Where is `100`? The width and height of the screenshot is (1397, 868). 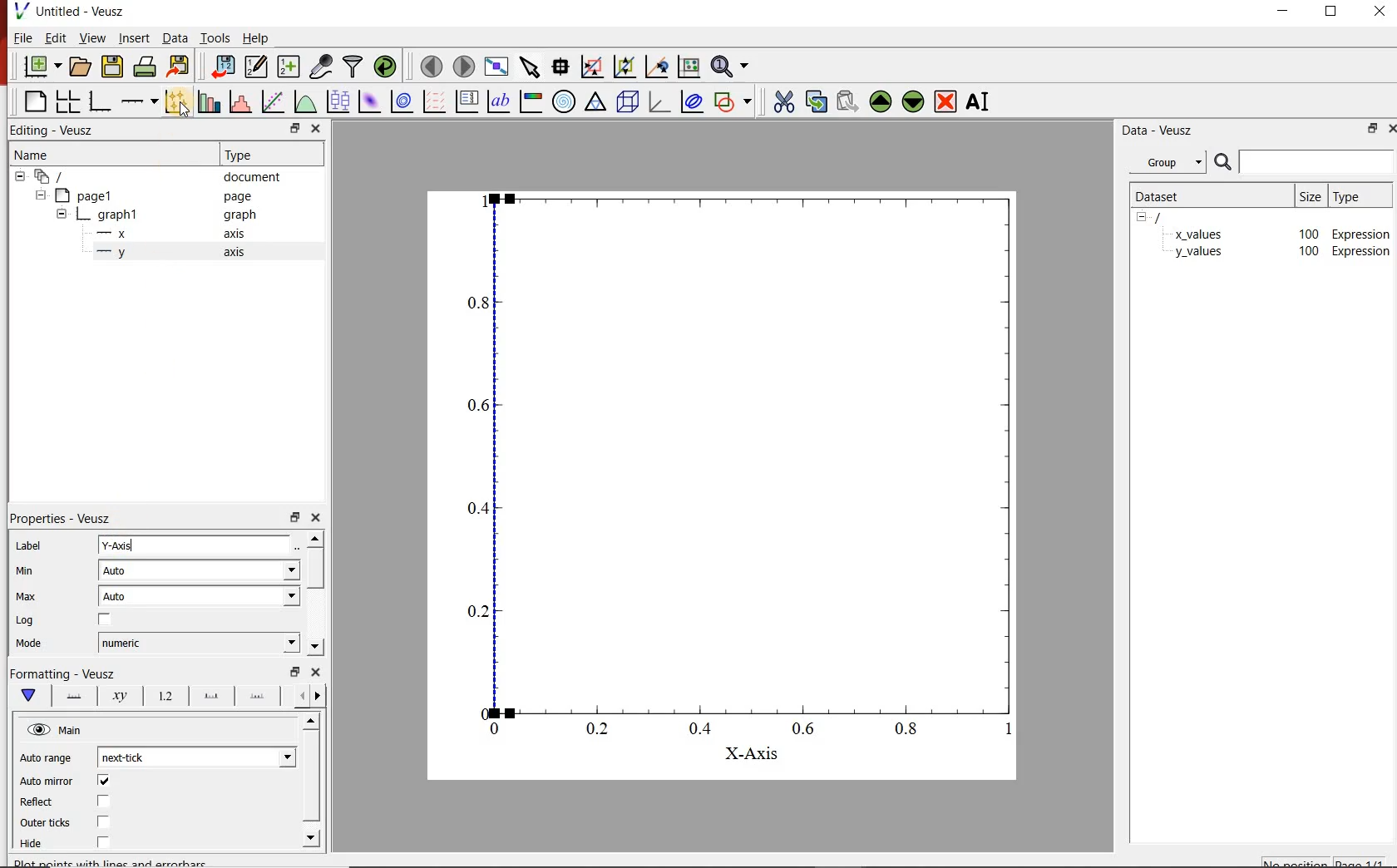 100 is located at coordinates (1307, 253).